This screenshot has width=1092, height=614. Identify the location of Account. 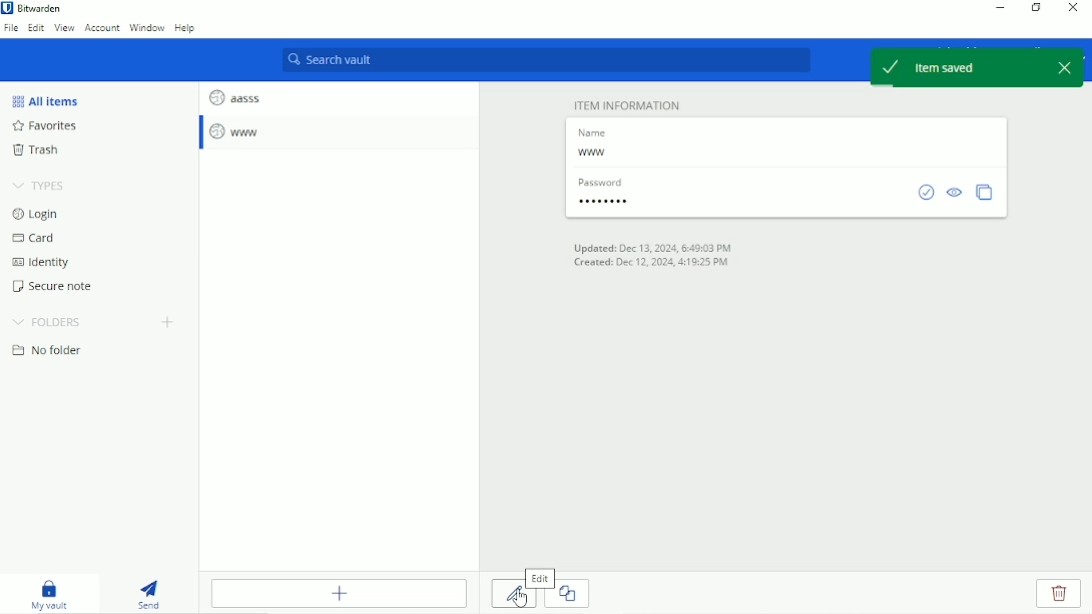
(101, 29).